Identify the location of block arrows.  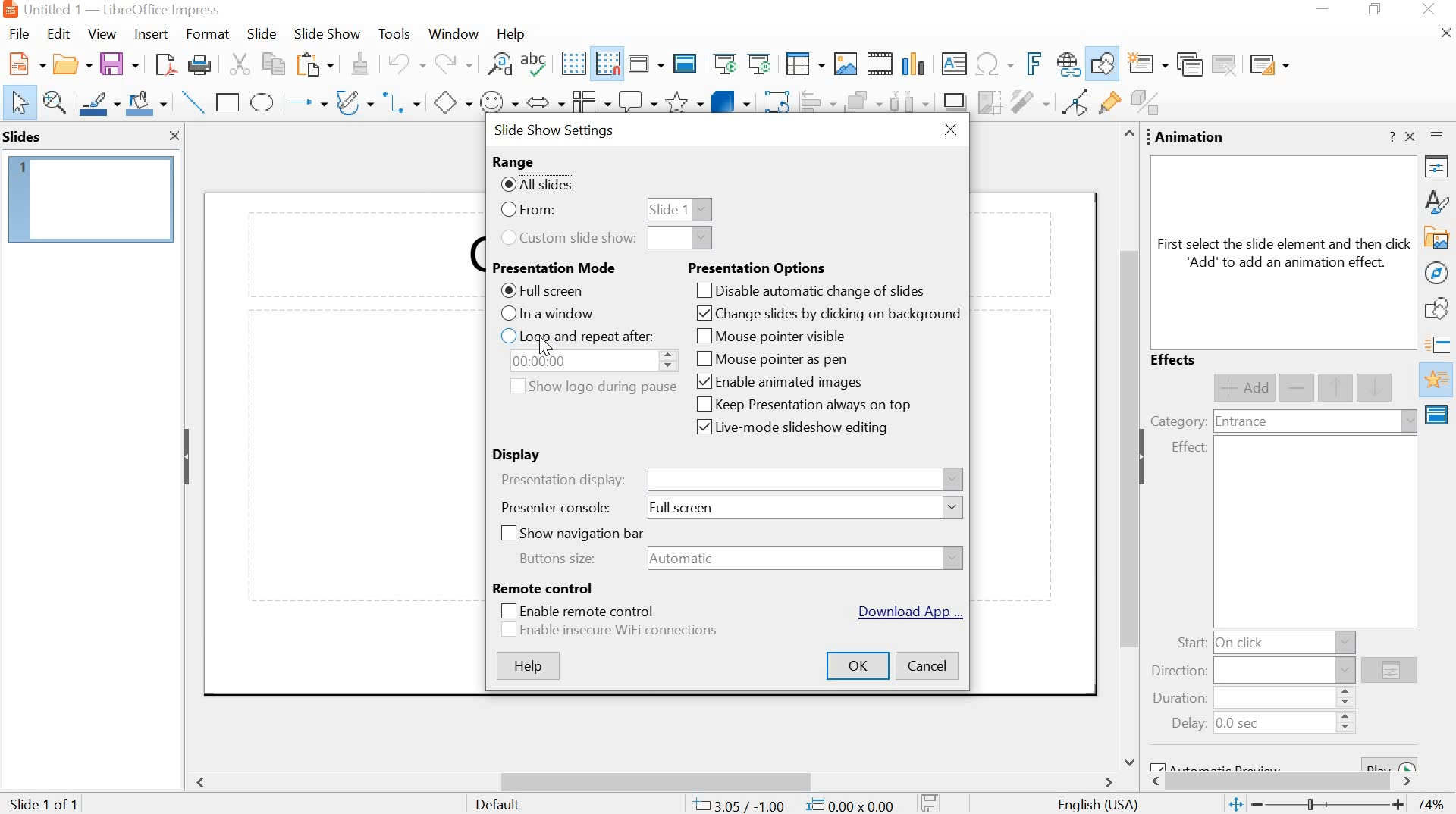
(544, 104).